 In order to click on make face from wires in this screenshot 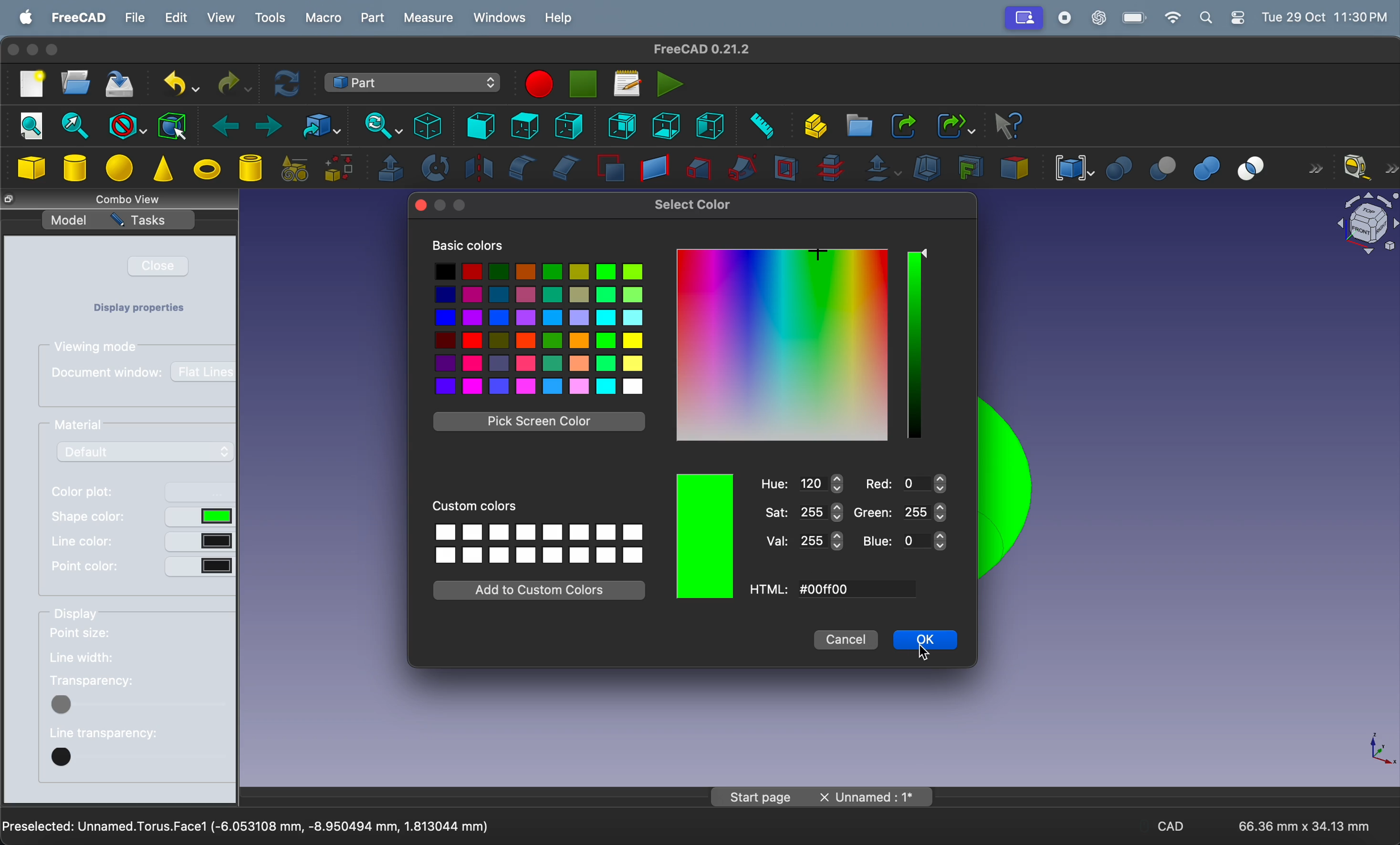, I will do `click(610, 170)`.